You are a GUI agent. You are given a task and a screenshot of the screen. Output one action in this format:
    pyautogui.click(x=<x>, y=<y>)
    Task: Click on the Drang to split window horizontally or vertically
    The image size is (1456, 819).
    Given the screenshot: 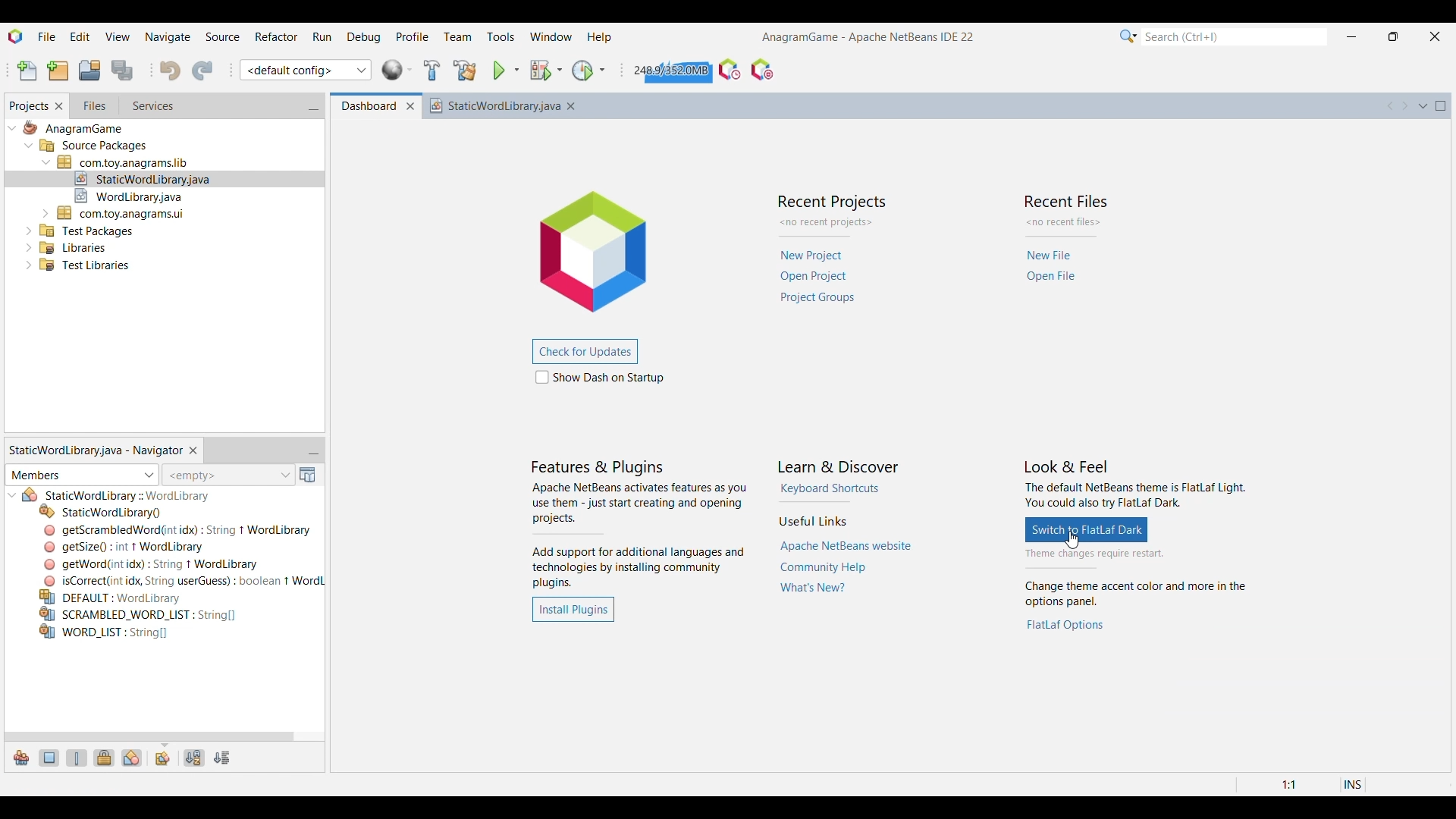 What is the action you would take?
    pyautogui.click(x=1442, y=130)
    